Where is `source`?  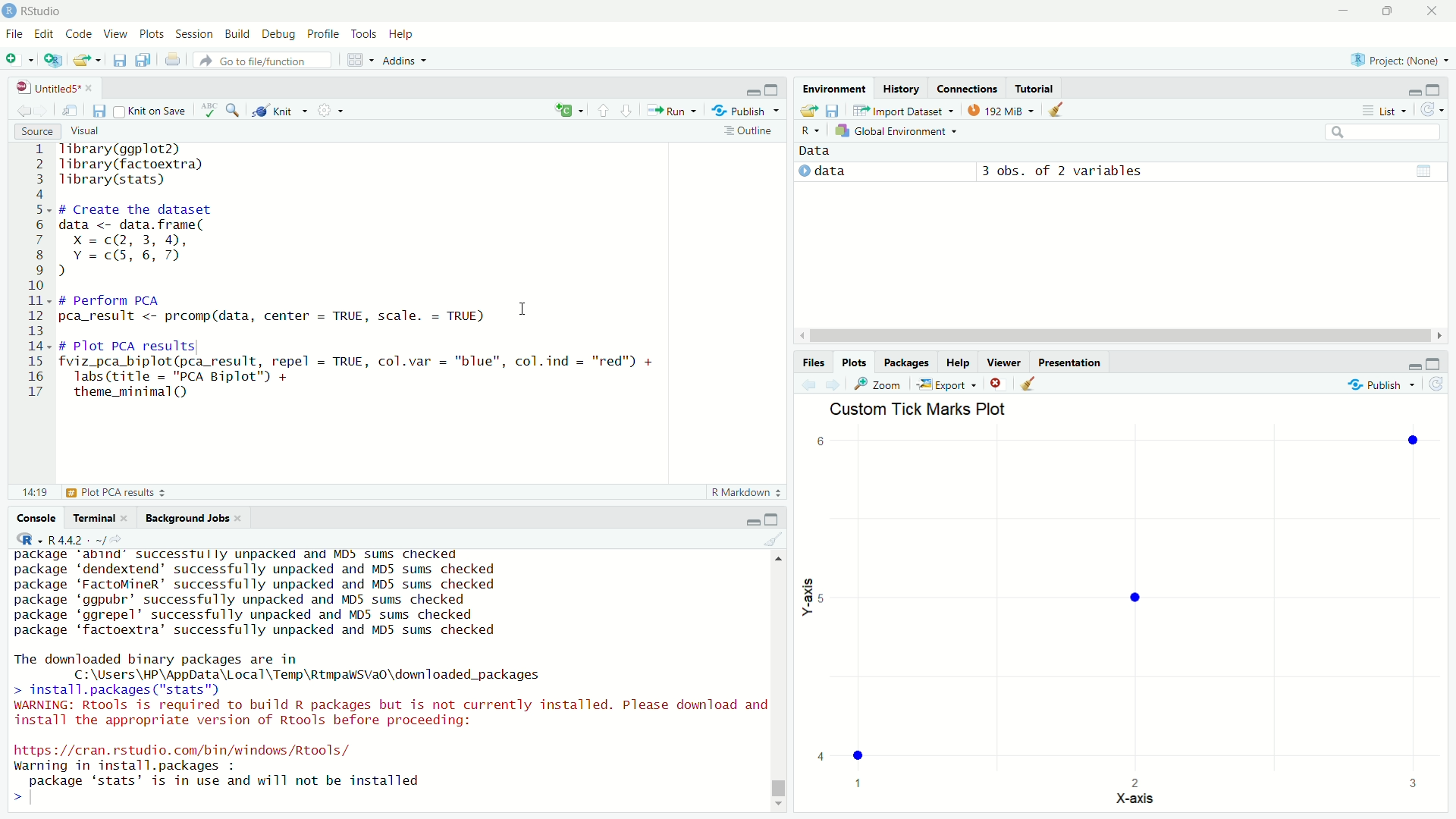 source is located at coordinates (35, 130).